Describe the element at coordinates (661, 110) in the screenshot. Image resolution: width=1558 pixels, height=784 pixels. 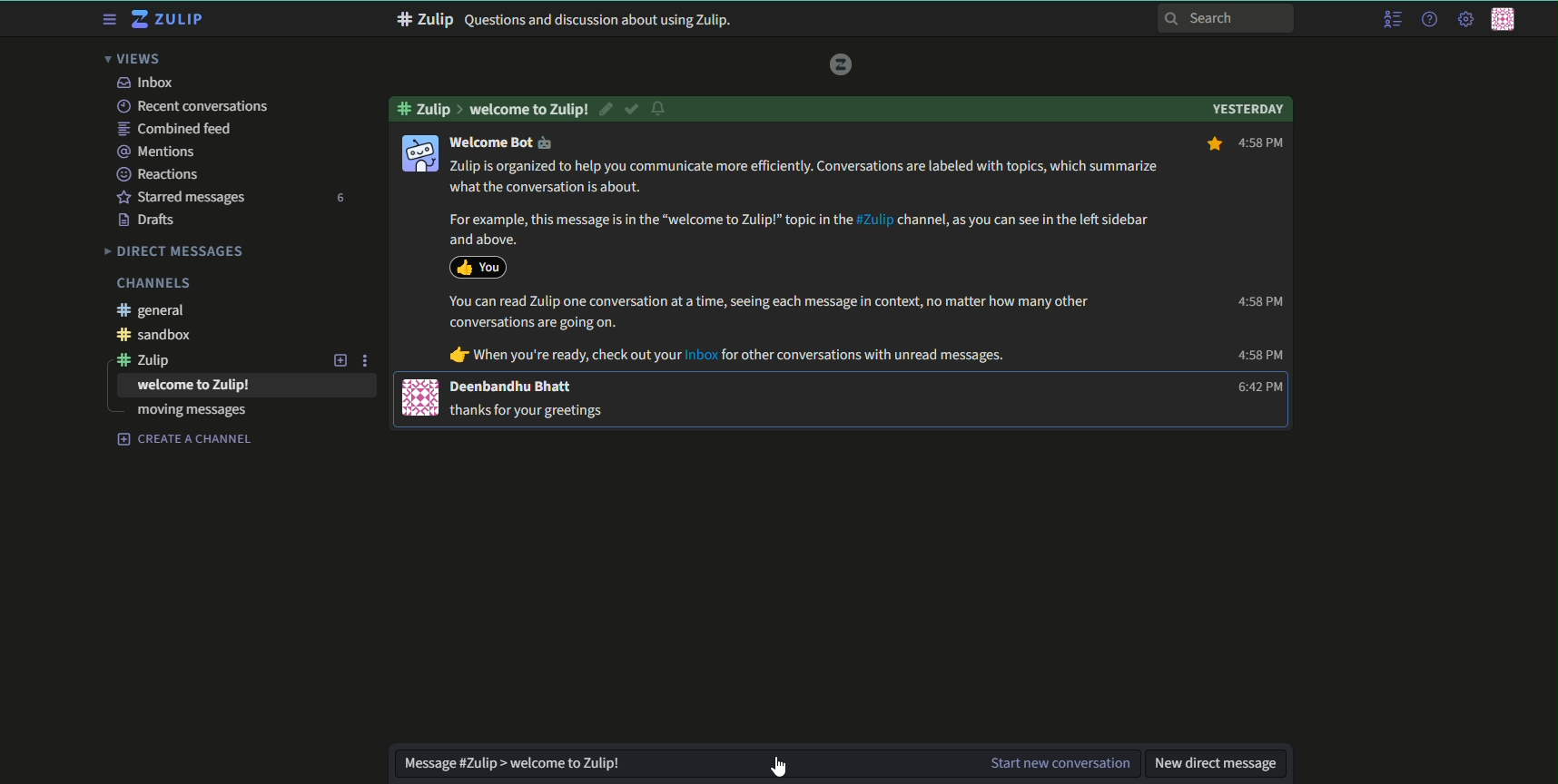
I see `notification` at that location.